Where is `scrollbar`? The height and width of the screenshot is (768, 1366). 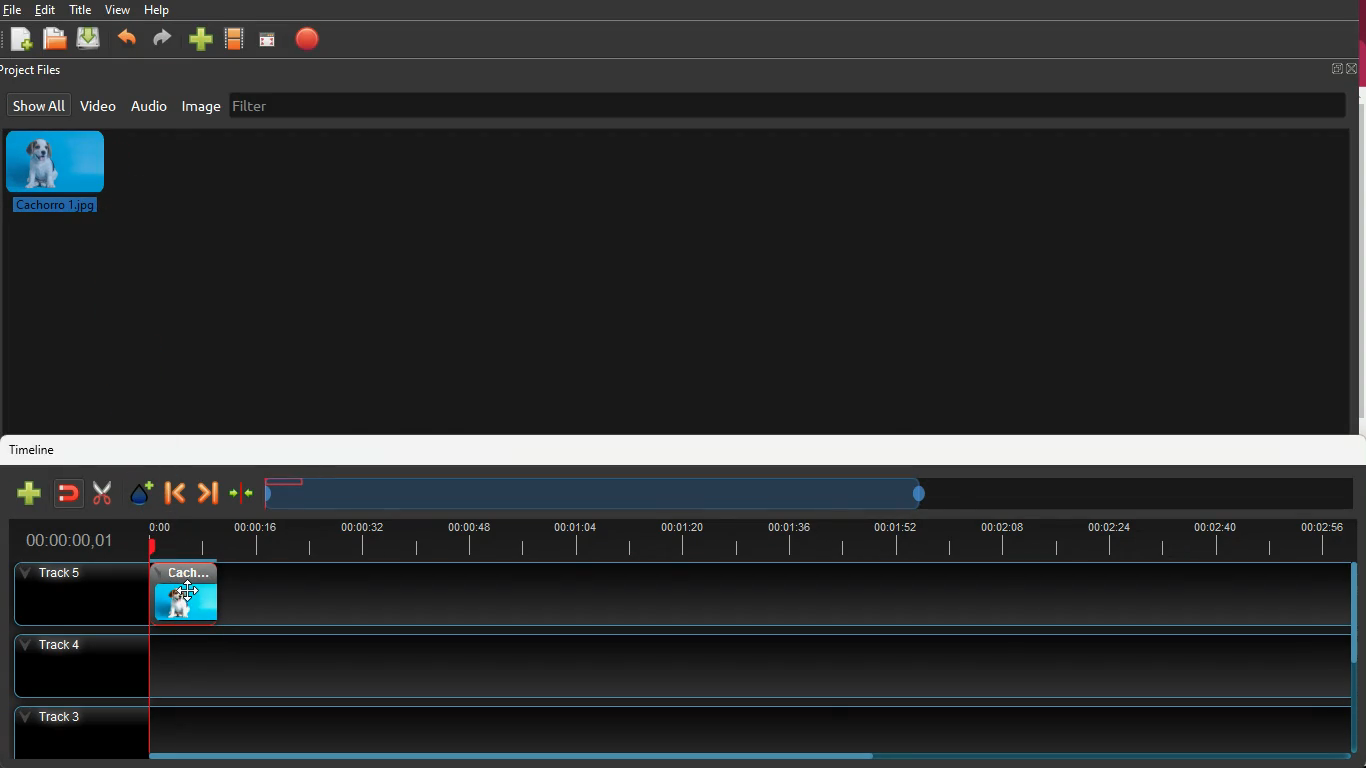 scrollbar is located at coordinates (1348, 660).